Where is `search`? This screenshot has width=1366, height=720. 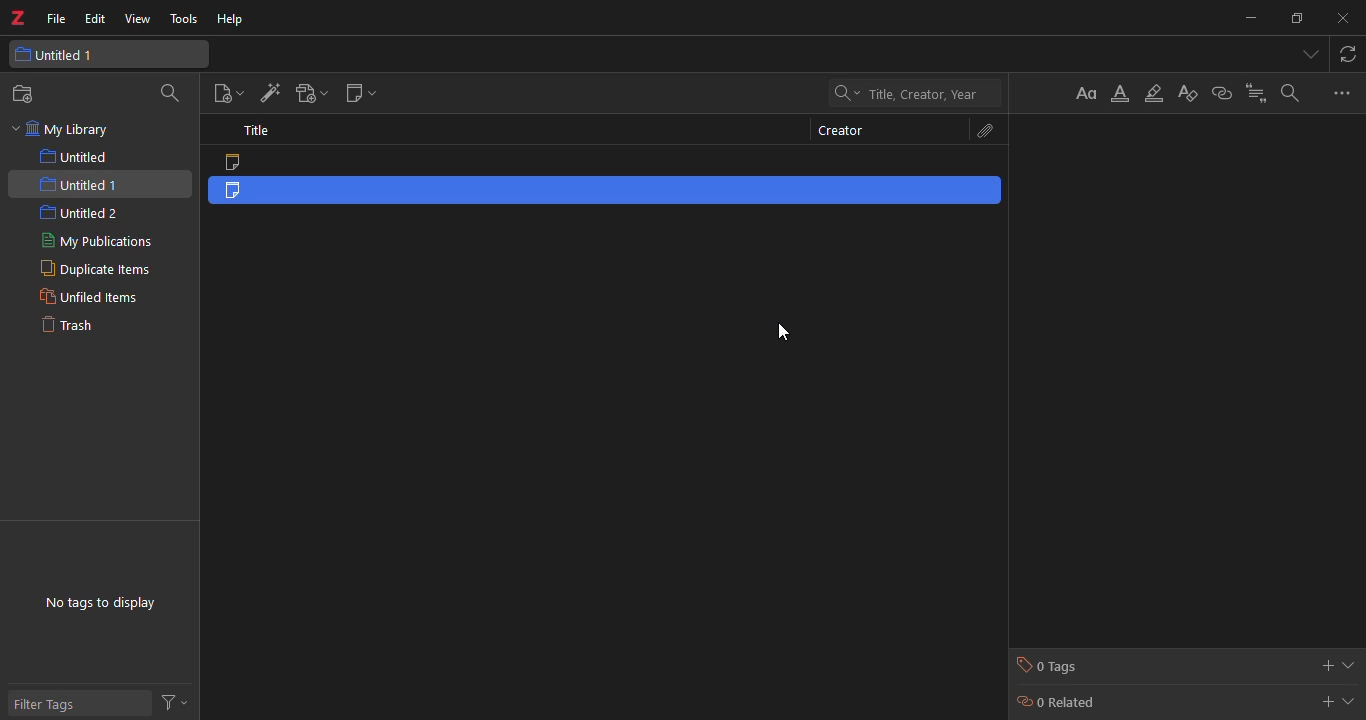 search is located at coordinates (912, 92).